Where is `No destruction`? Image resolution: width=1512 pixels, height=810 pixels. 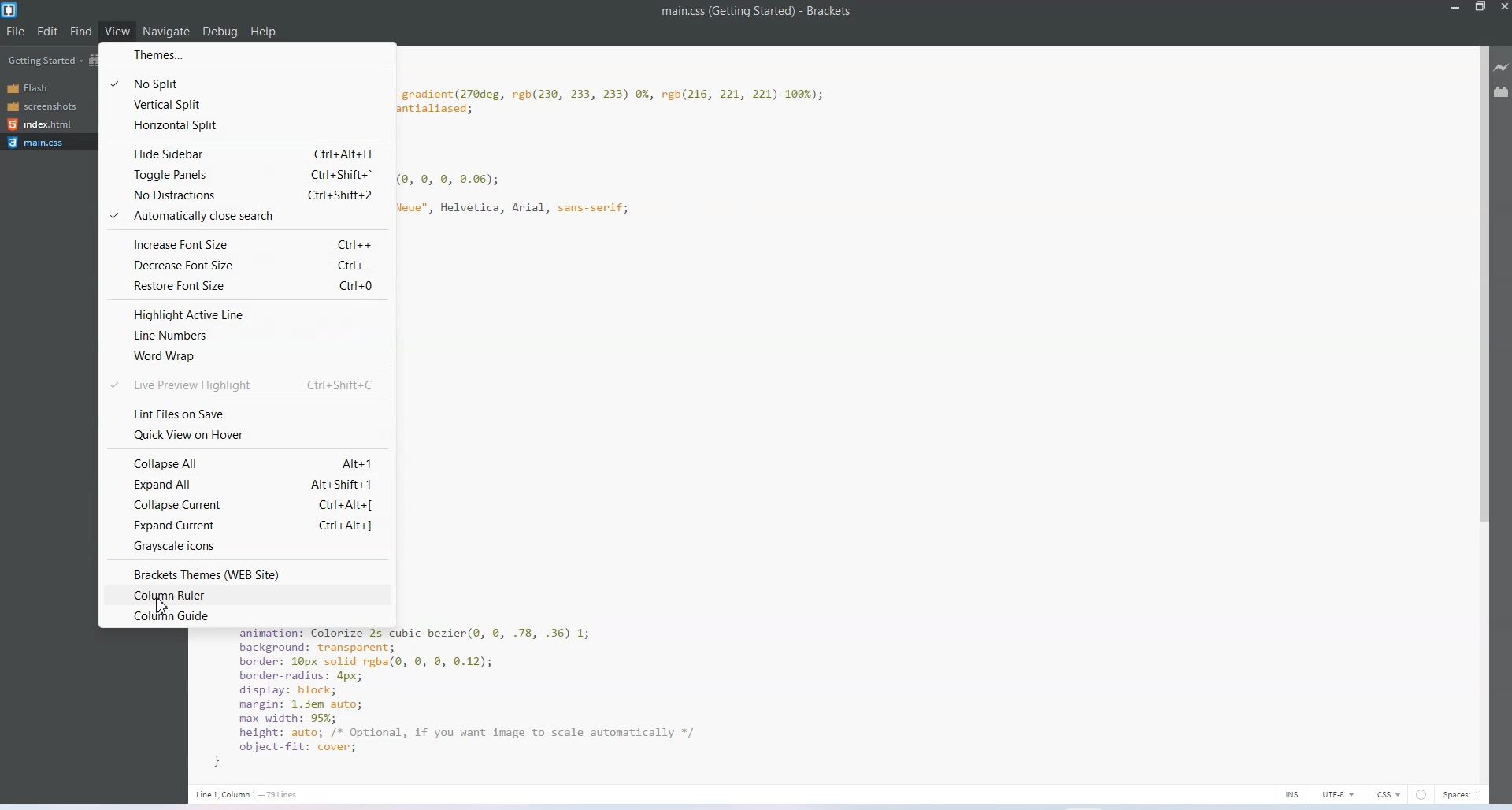
No destruction is located at coordinates (246, 194).